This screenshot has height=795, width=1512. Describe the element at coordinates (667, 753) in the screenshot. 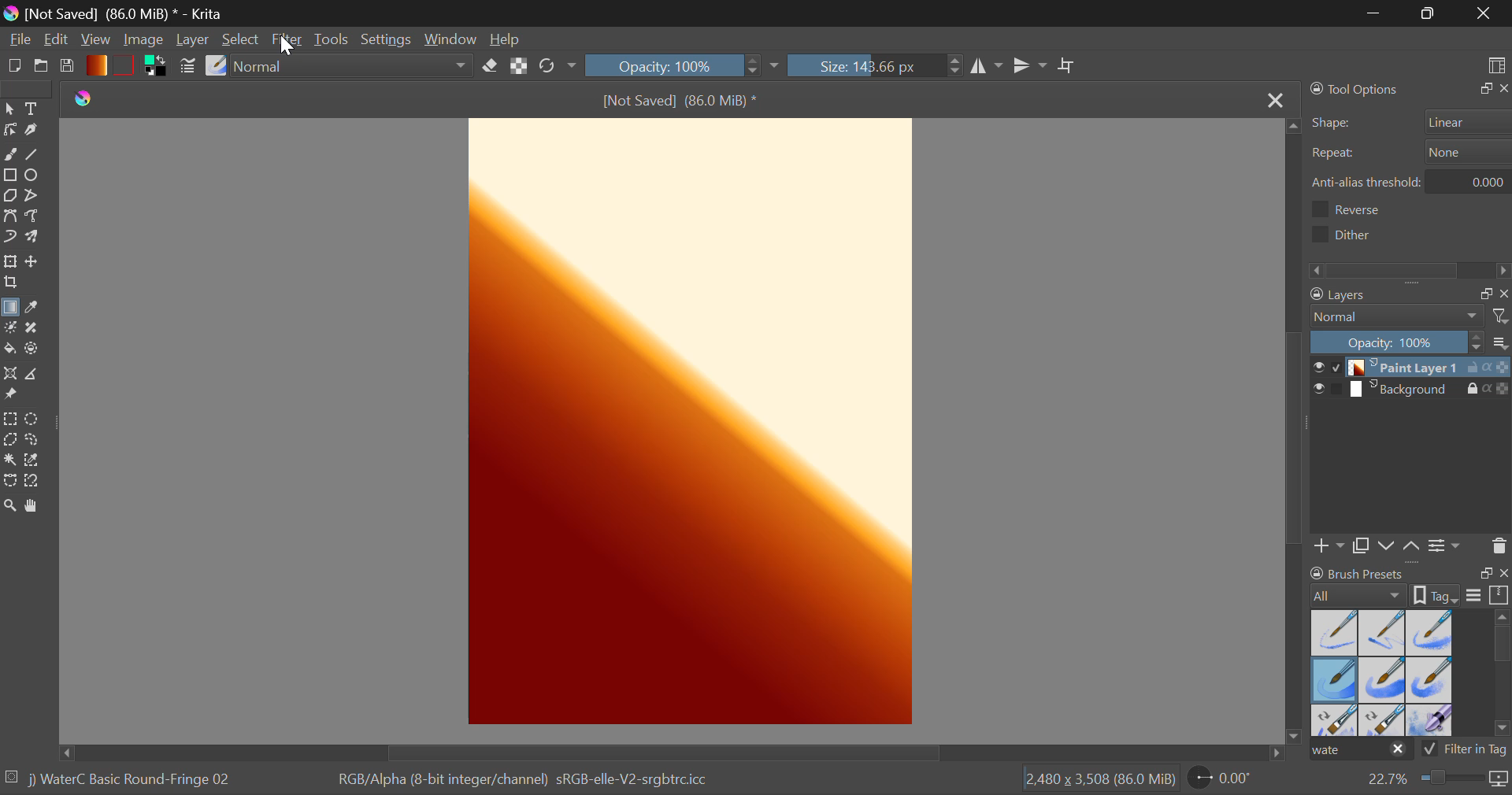

I see `Scroll Bar` at that location.